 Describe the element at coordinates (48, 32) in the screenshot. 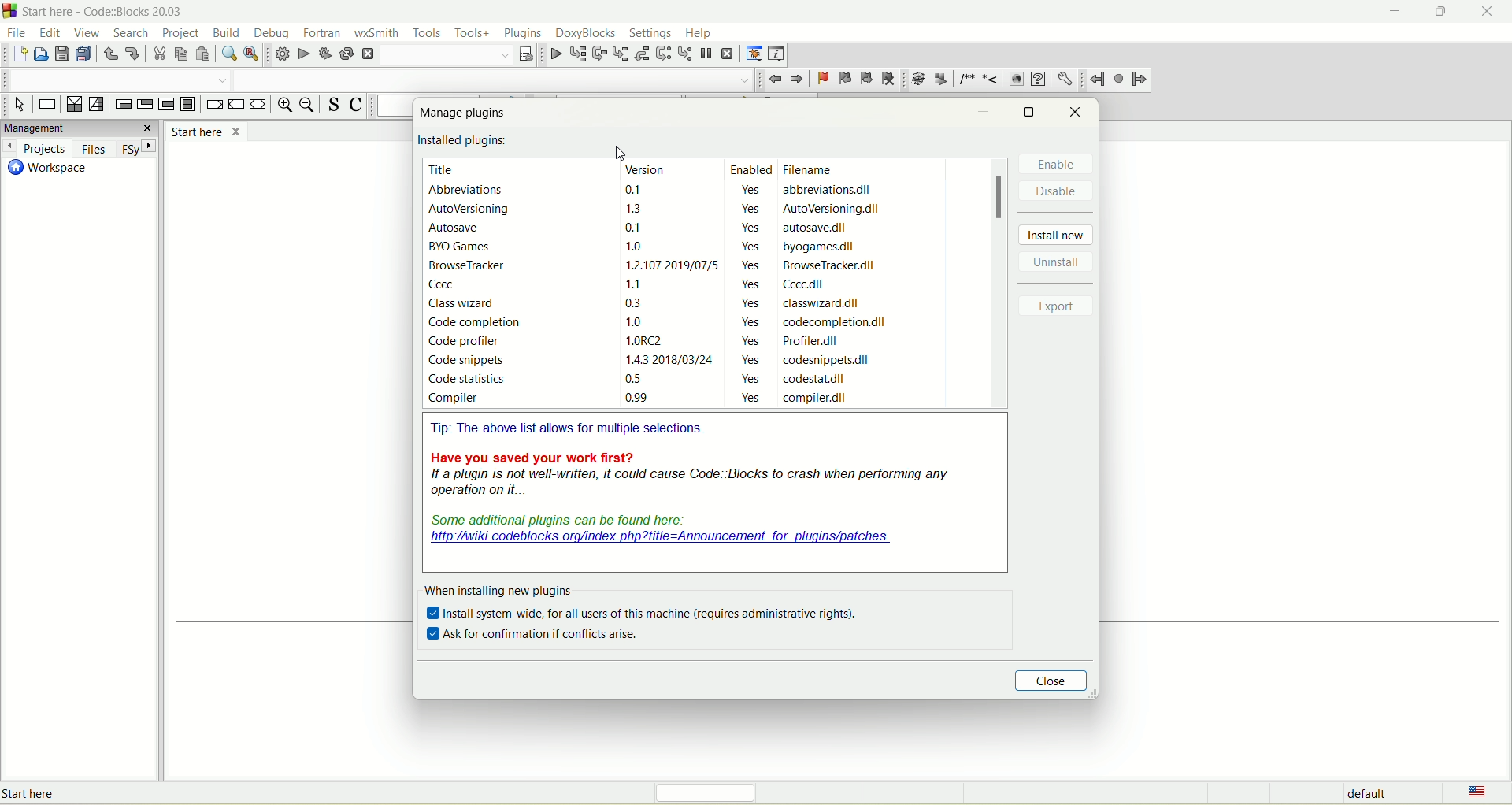

I see `edit` at that location.